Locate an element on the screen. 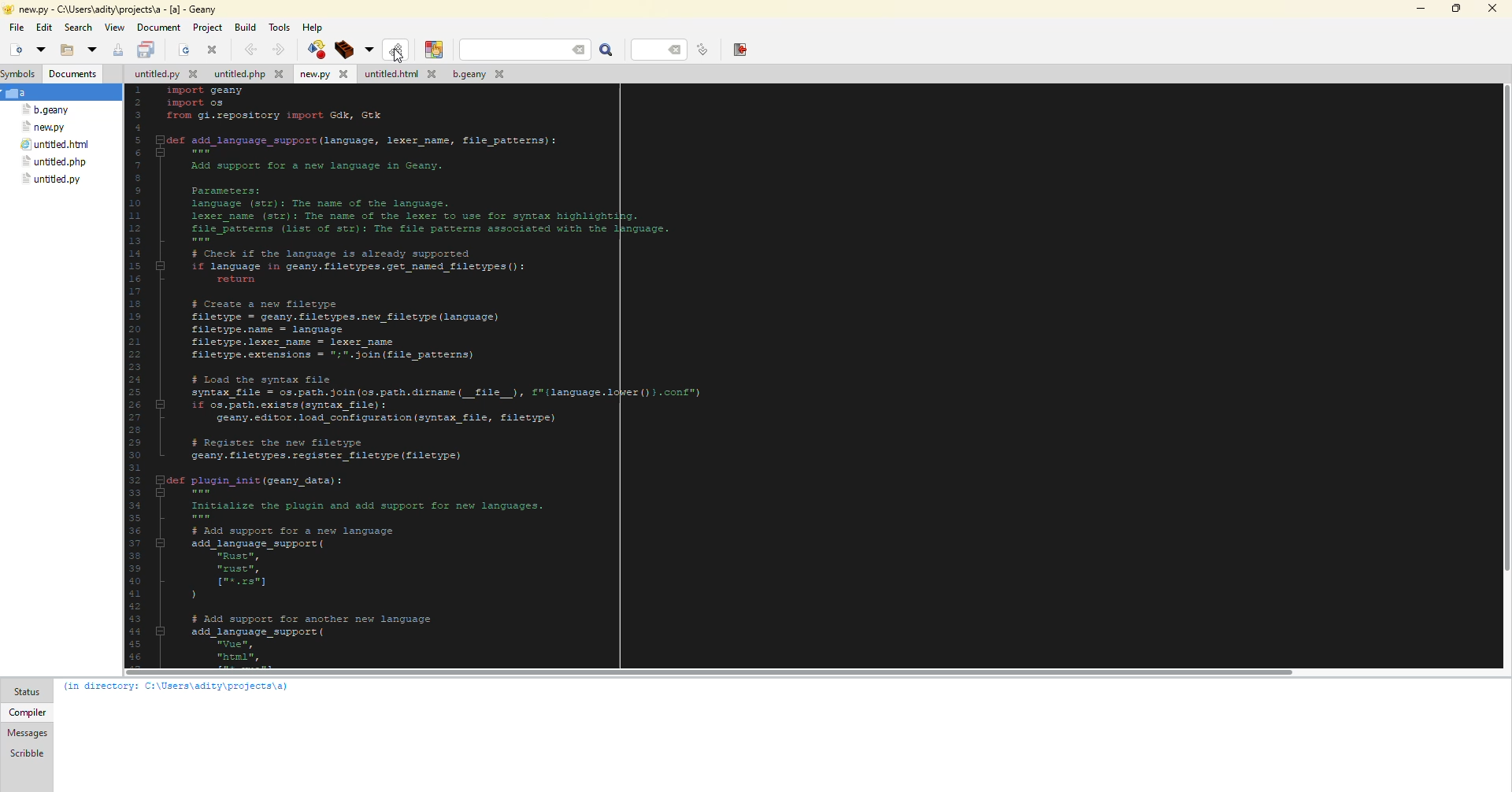  open is located at coordinates (40, 50).